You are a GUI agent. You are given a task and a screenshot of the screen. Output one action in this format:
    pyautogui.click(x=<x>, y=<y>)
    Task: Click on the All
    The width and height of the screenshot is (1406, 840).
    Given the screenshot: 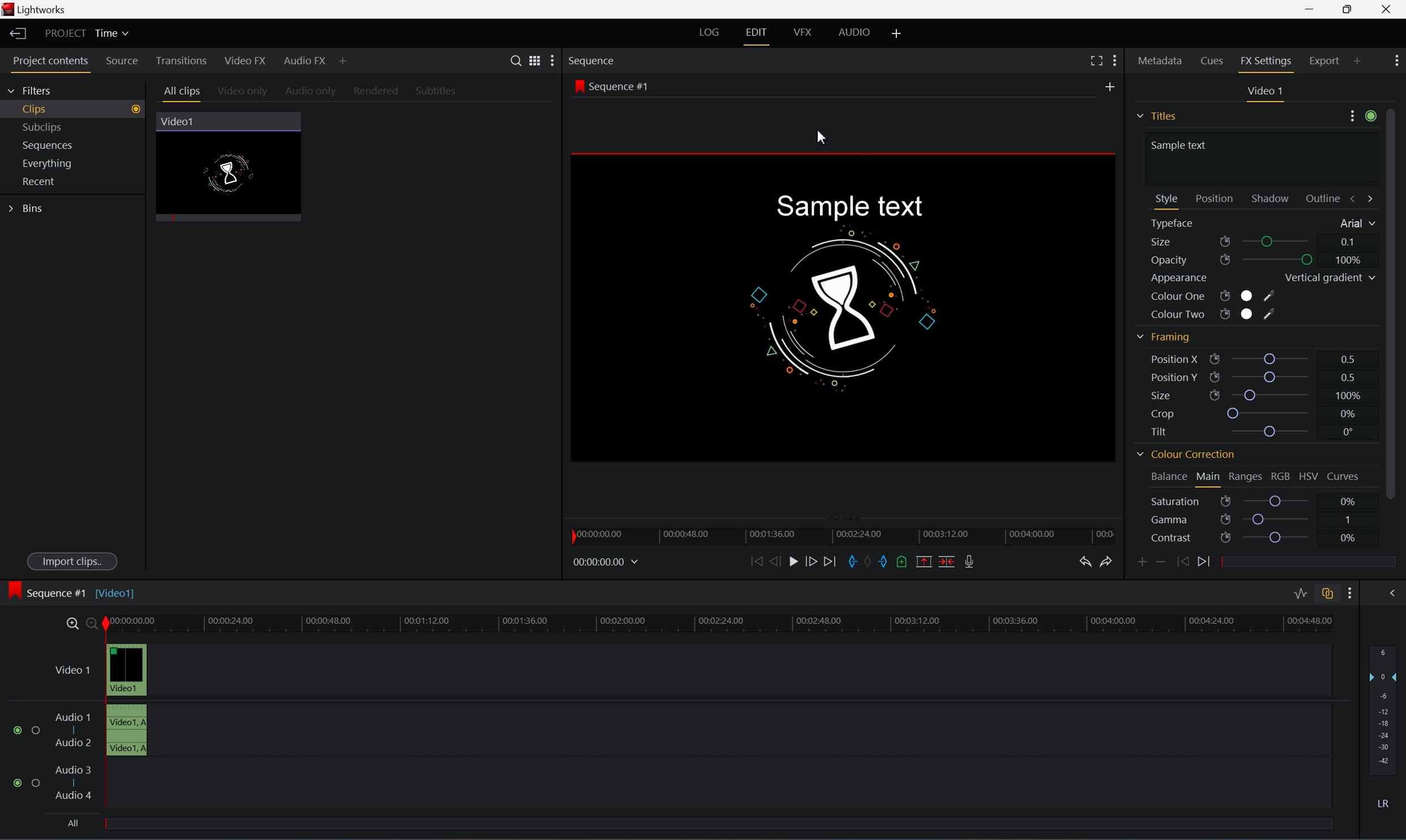 What is the action you would take?
    pyautogui.click(x=73, y=821)
    